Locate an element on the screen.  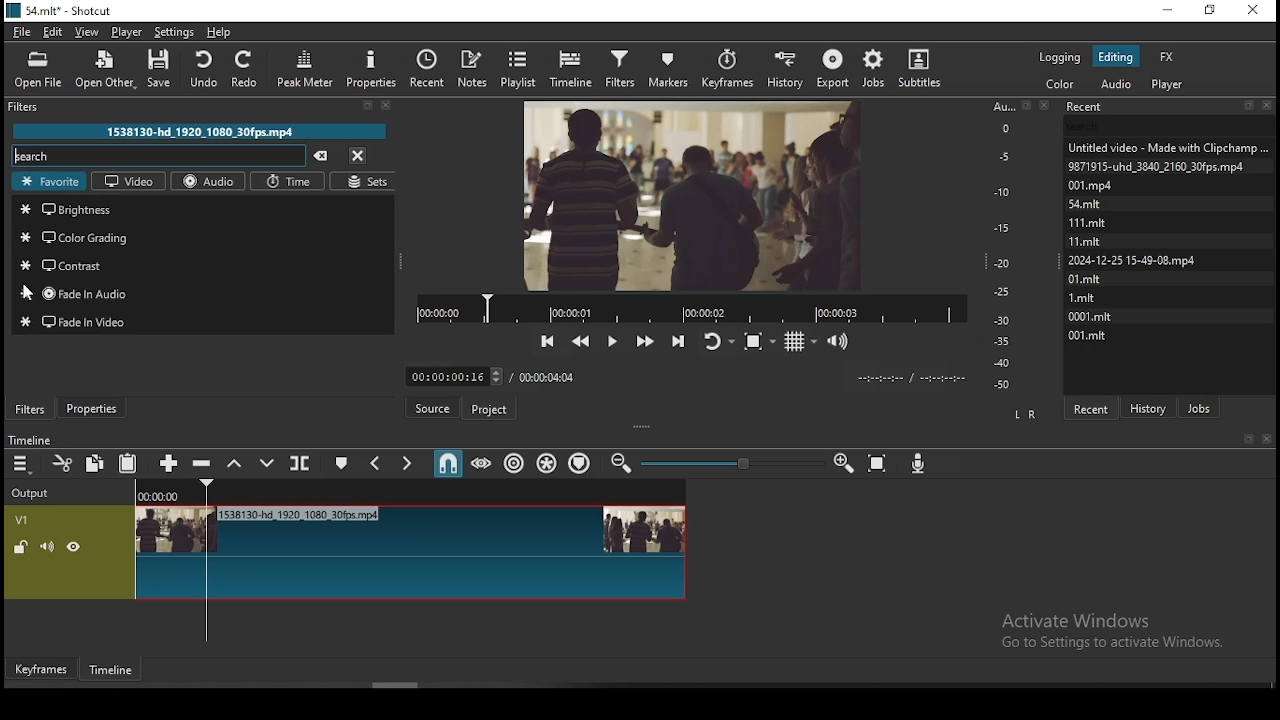
history is located at coordinates (1151, 406).